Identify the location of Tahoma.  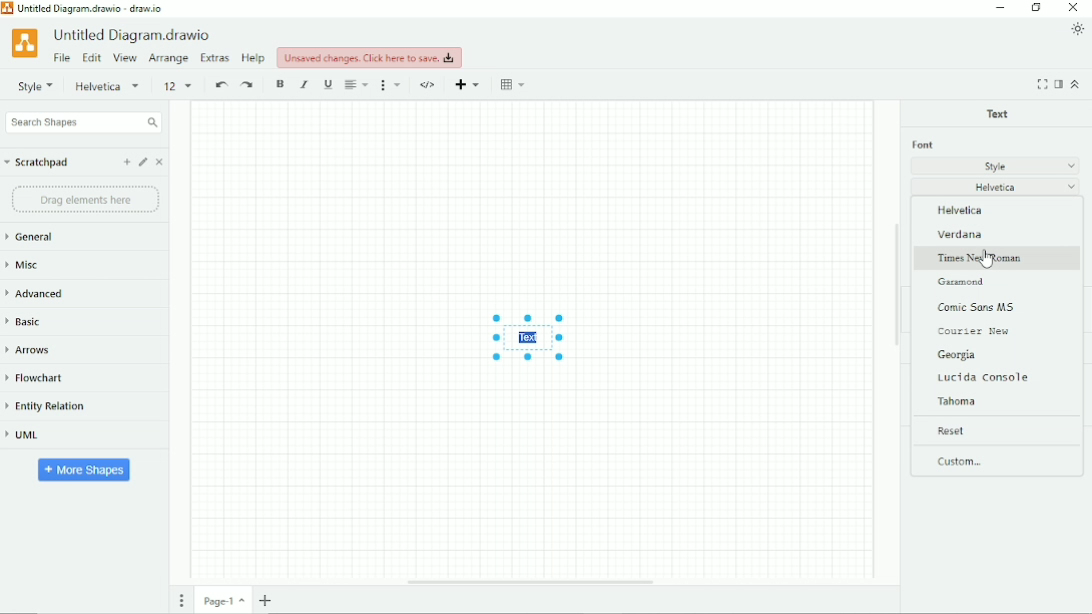
(961, 402).